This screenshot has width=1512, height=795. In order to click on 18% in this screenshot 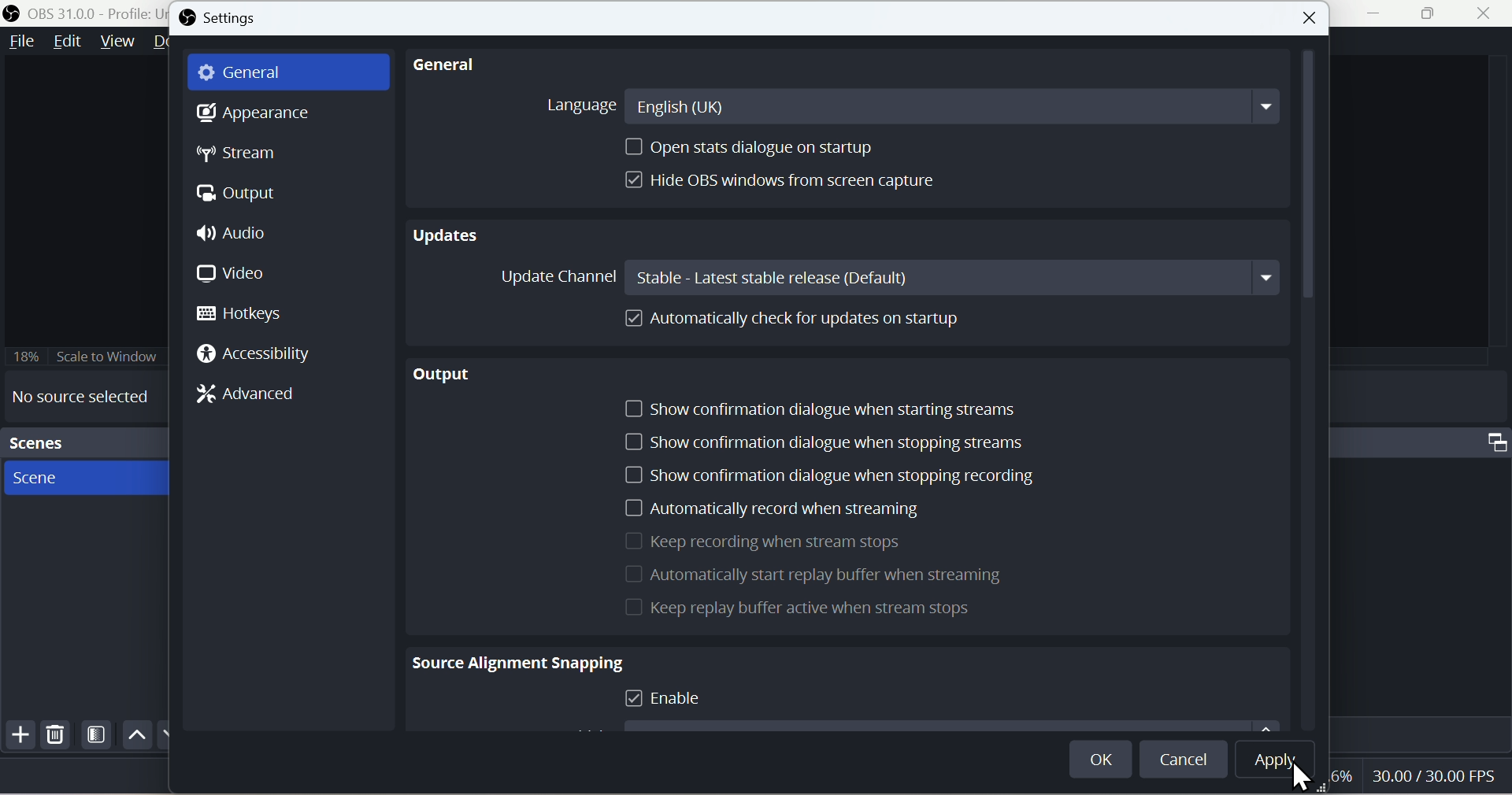, I will do `click(25, 356)`.